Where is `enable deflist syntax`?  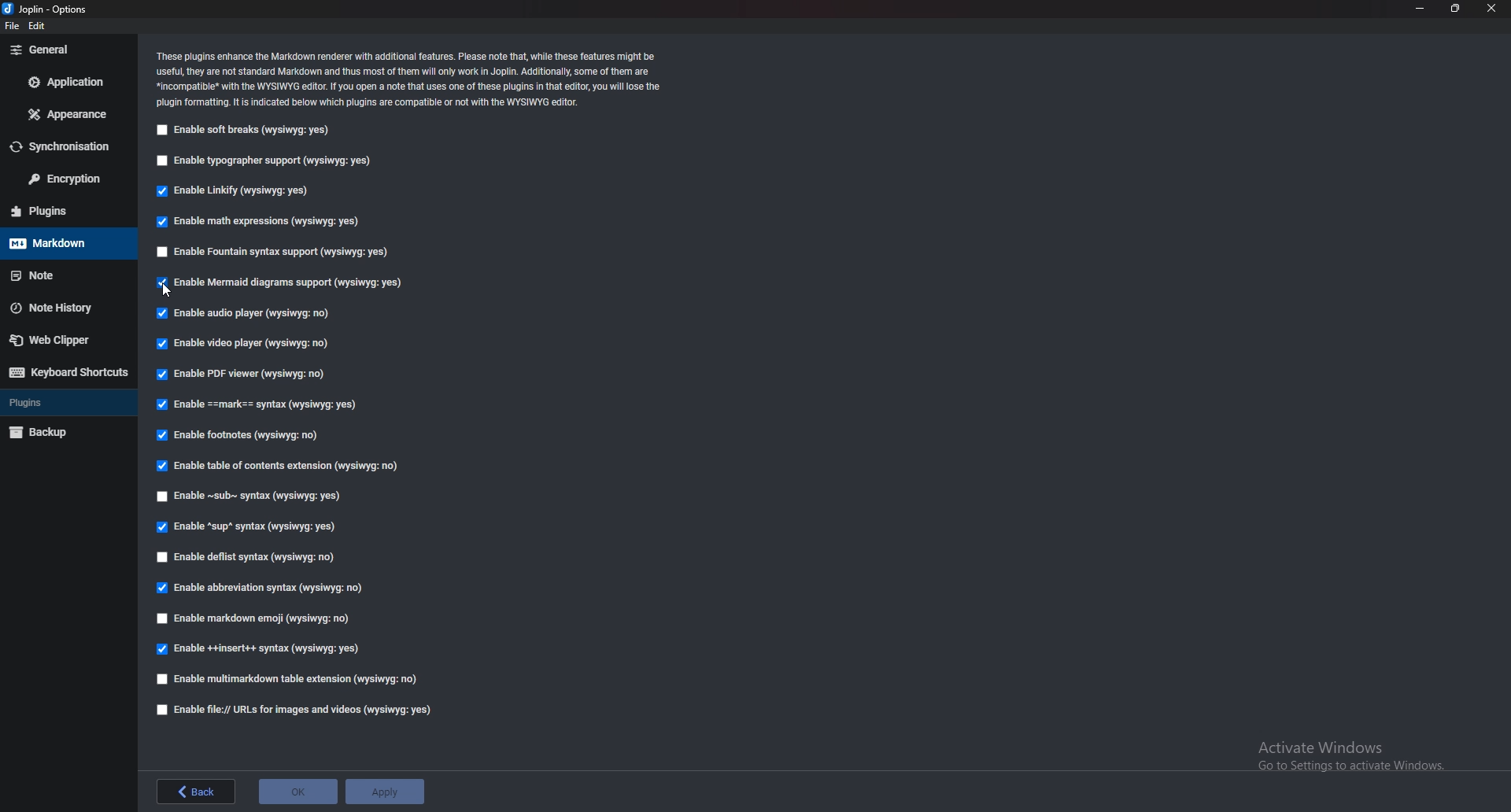
enable deflist syntax is located at coordinates (250, 559).